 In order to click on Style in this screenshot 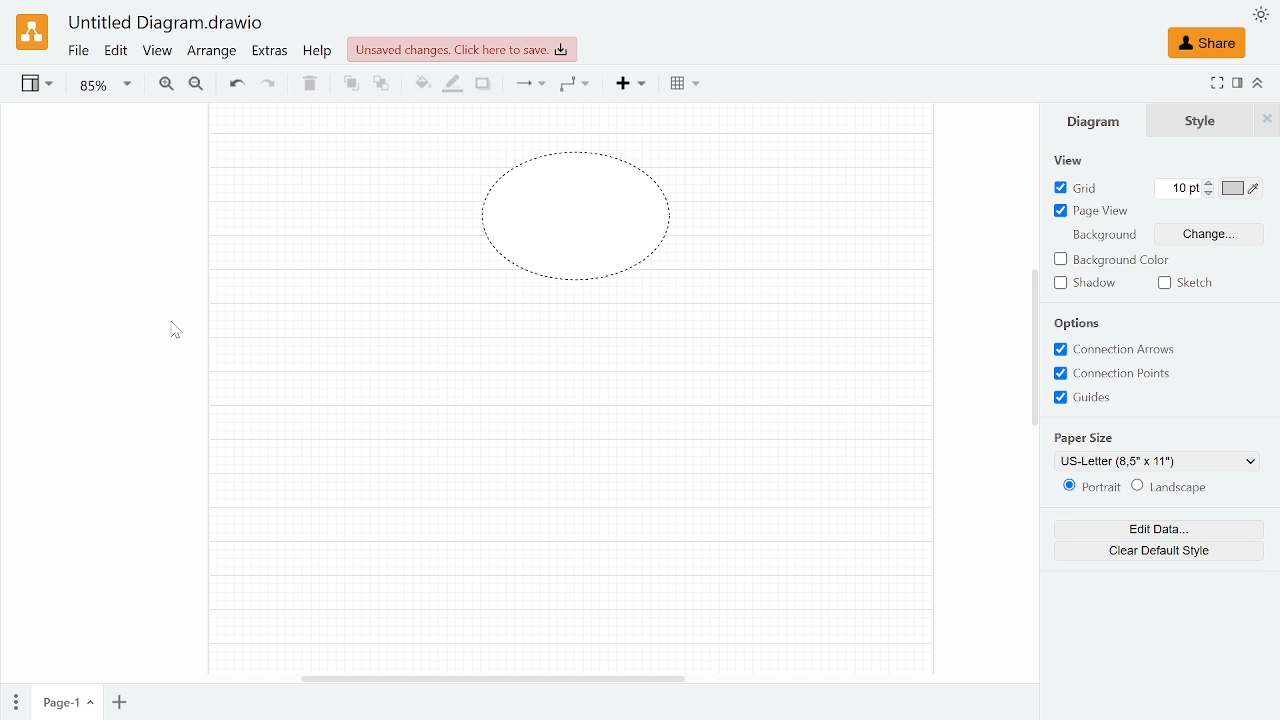, I will do `click(1193, 122)`.